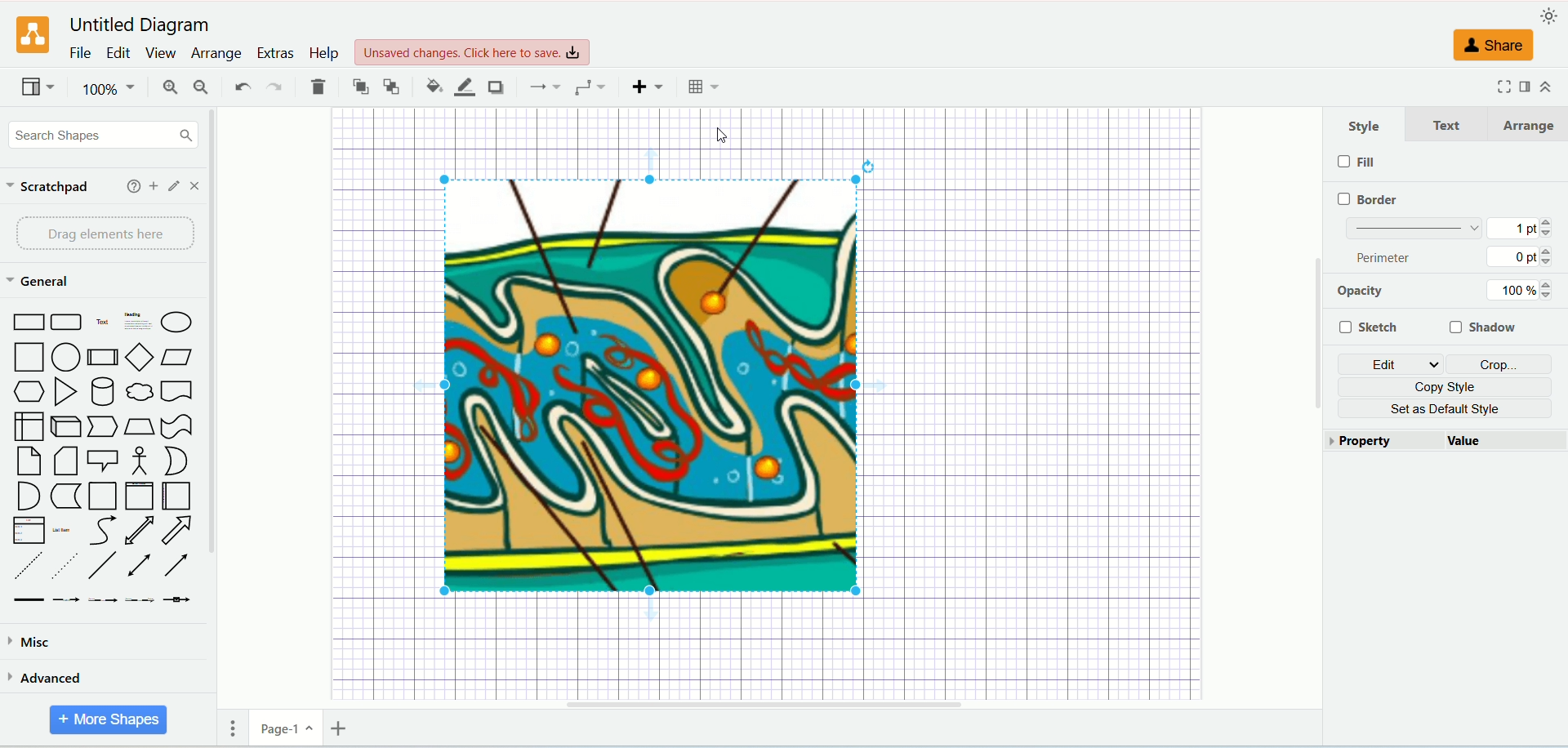 The height and width of the screenshot is (748, 1568). Describe the element at coordinates (1383, 443) in the screenshot. I see `property` at that location.